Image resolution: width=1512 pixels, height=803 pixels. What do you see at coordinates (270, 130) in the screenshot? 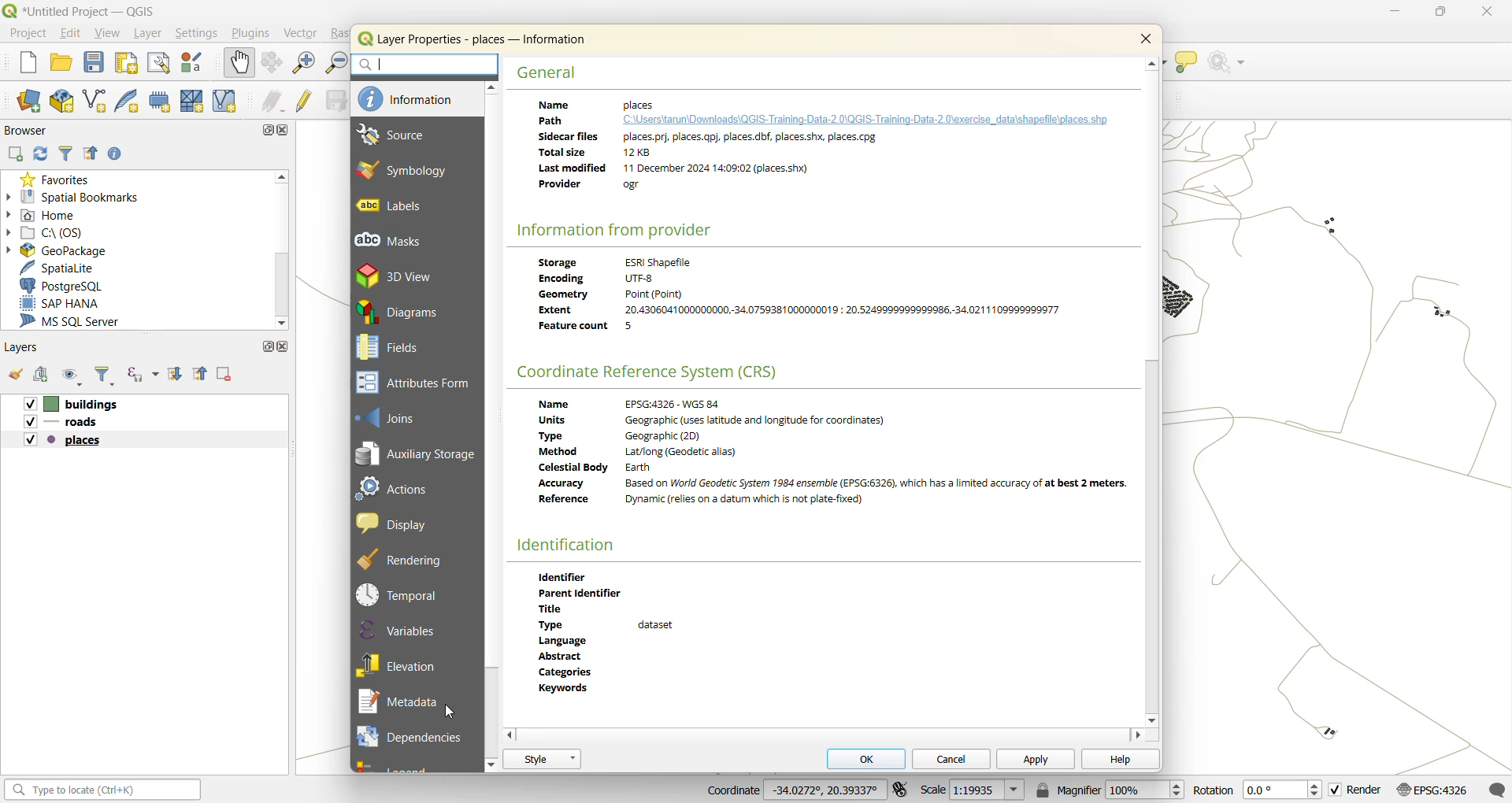
I see `maximize` at bounding box center [270, 130].